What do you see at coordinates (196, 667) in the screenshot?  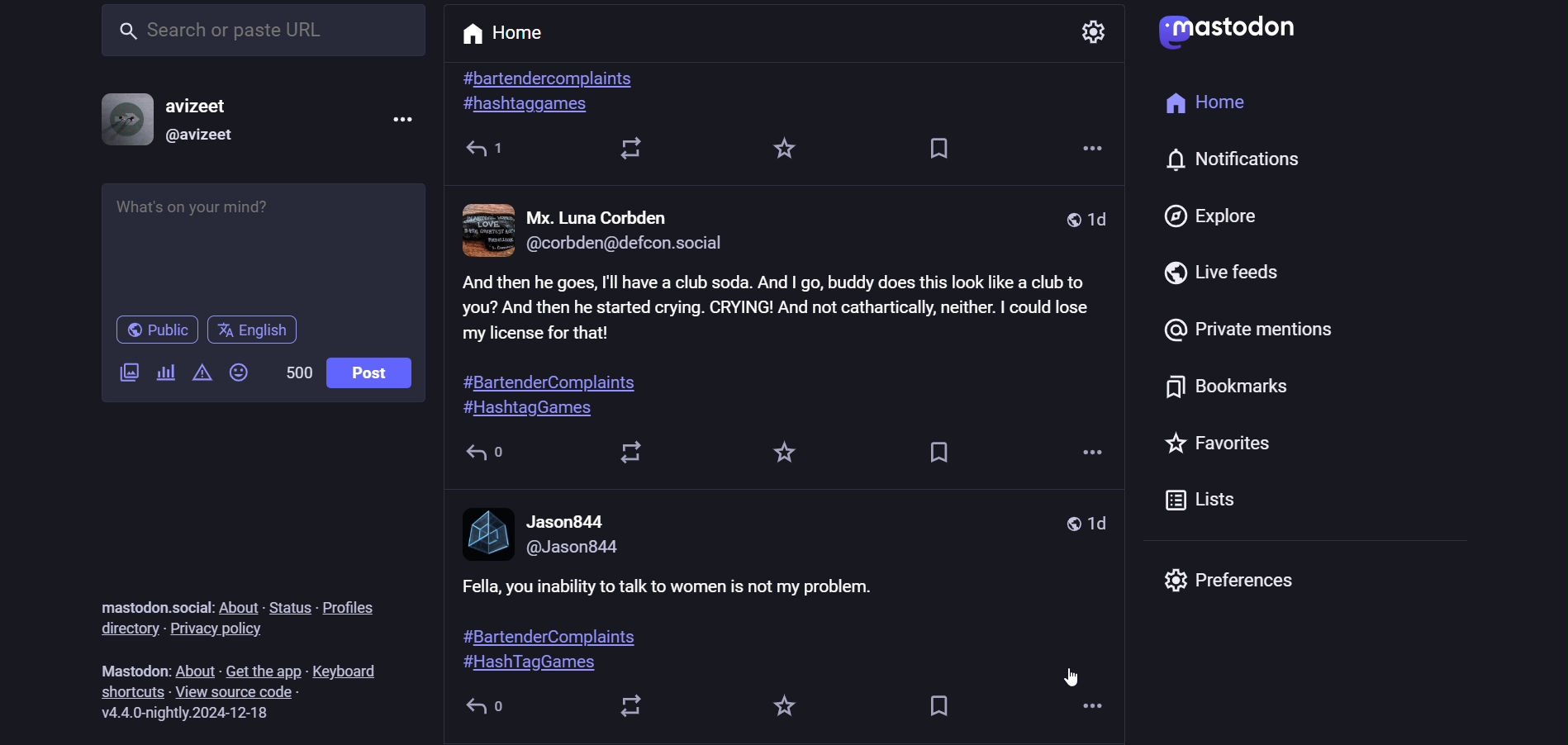 I see `about` at bounding box center [196, 667].